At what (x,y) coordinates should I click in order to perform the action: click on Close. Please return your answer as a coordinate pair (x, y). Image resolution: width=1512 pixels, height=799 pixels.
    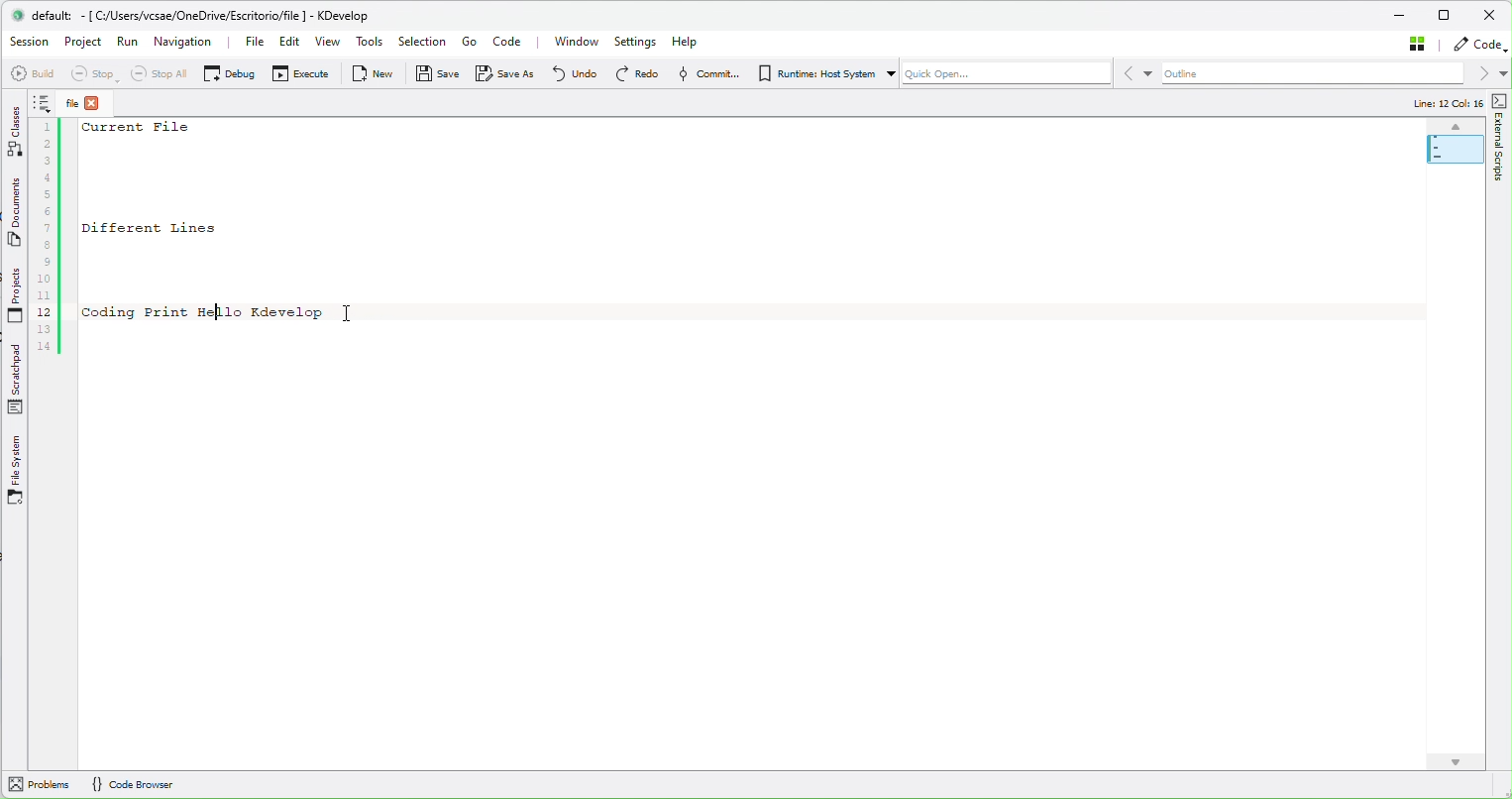
    Looking at the image, I should click on (1491, 16).